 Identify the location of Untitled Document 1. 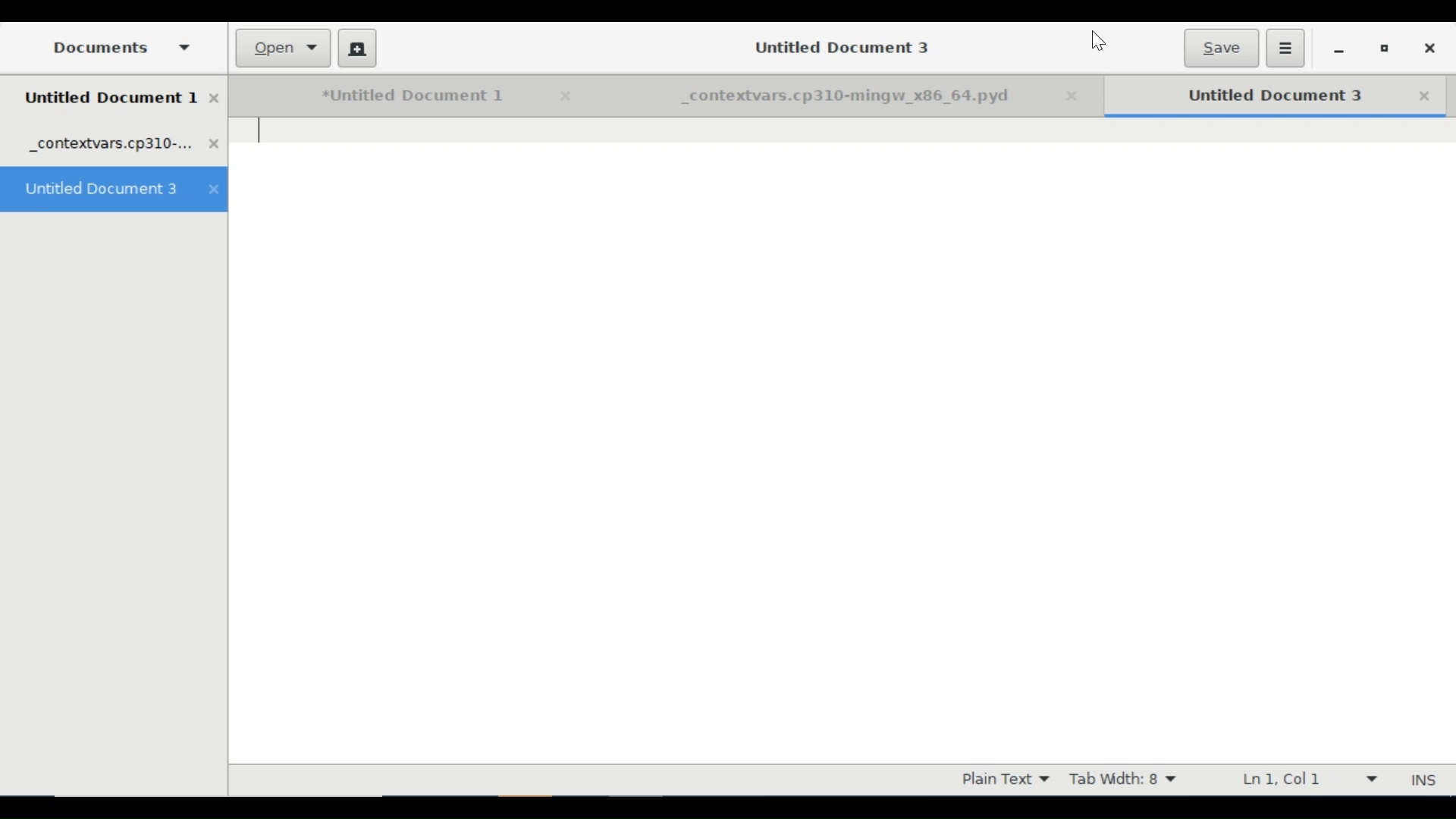
(391, 96).